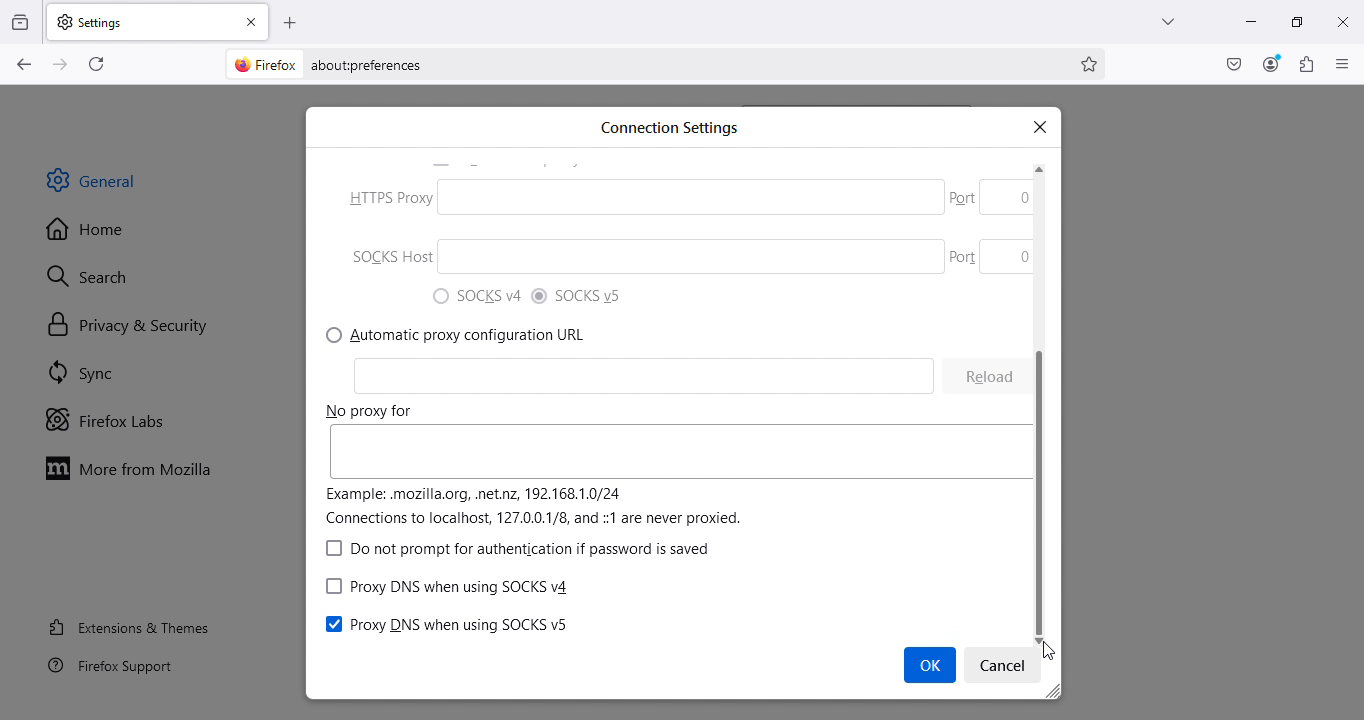 The height and width of the screenshot is (720, 1364). Describe the element at coordinates (86, 230) in the screenshot. I see `Home` at that location.